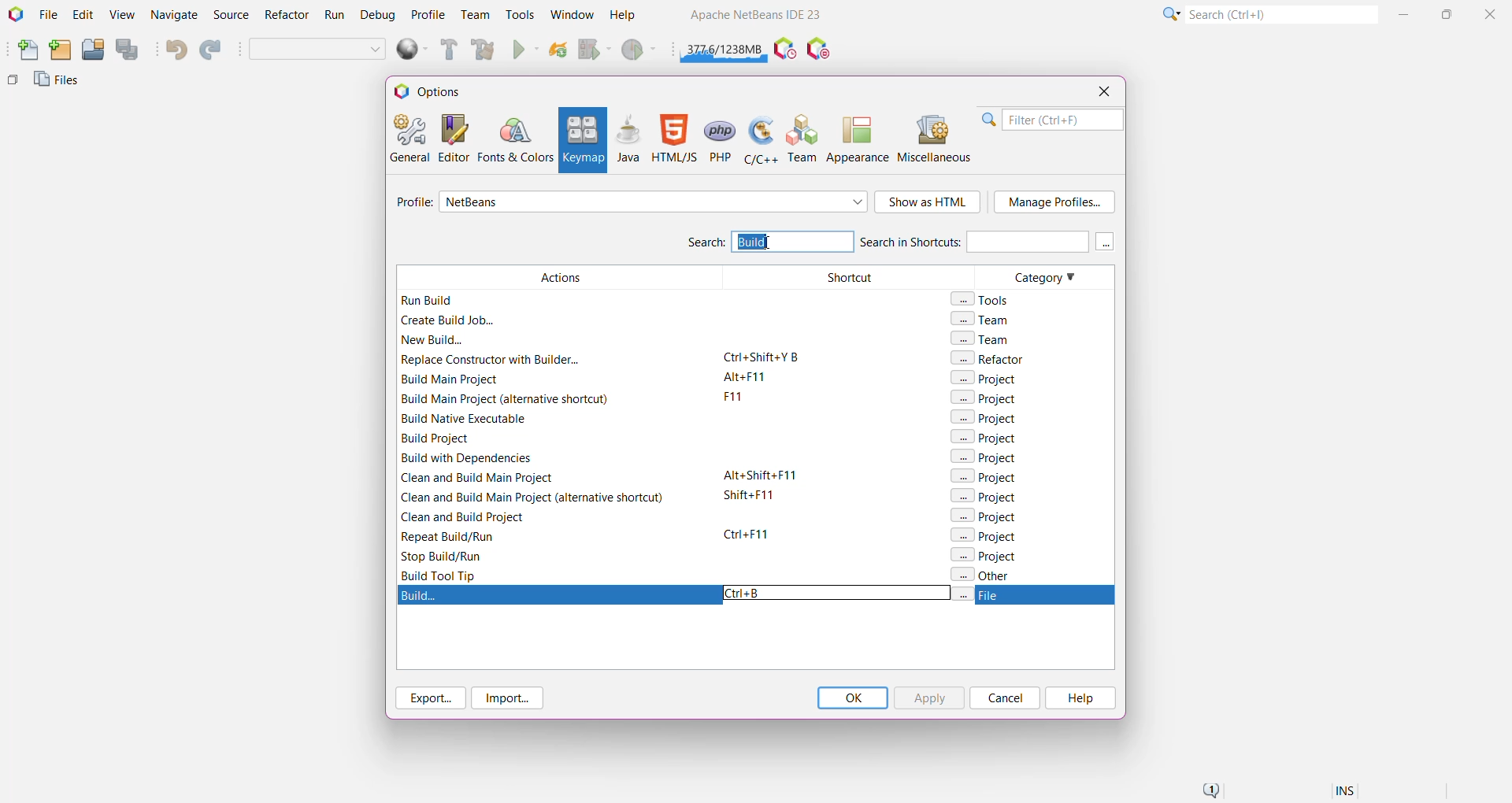 The height and width of the screenshot is (803, 1512). Describe the element at coordinates (13, 83) in the screenshot. I see `` at that location.